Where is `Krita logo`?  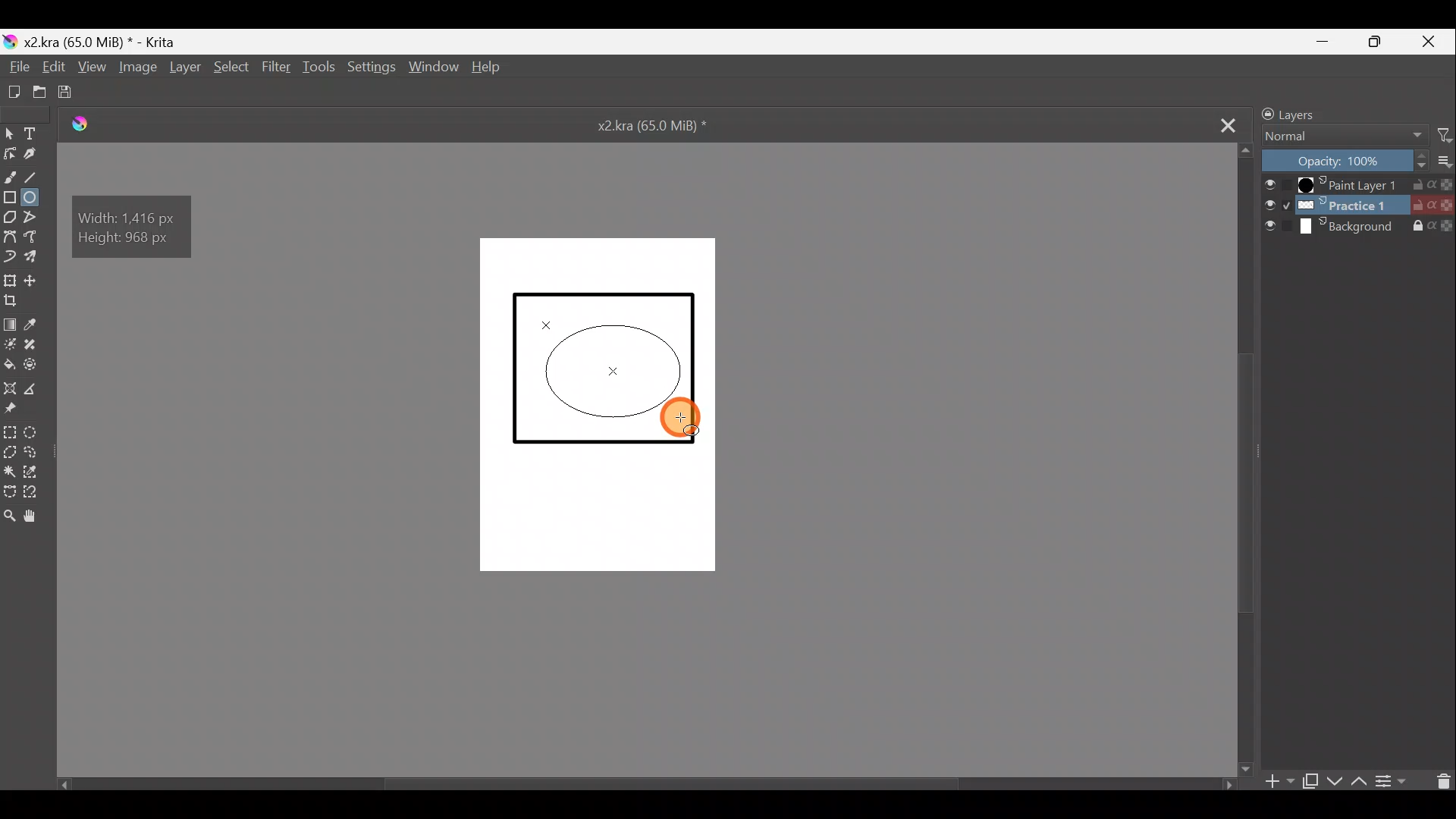
Krita logo is located at coordinates (9, 40).